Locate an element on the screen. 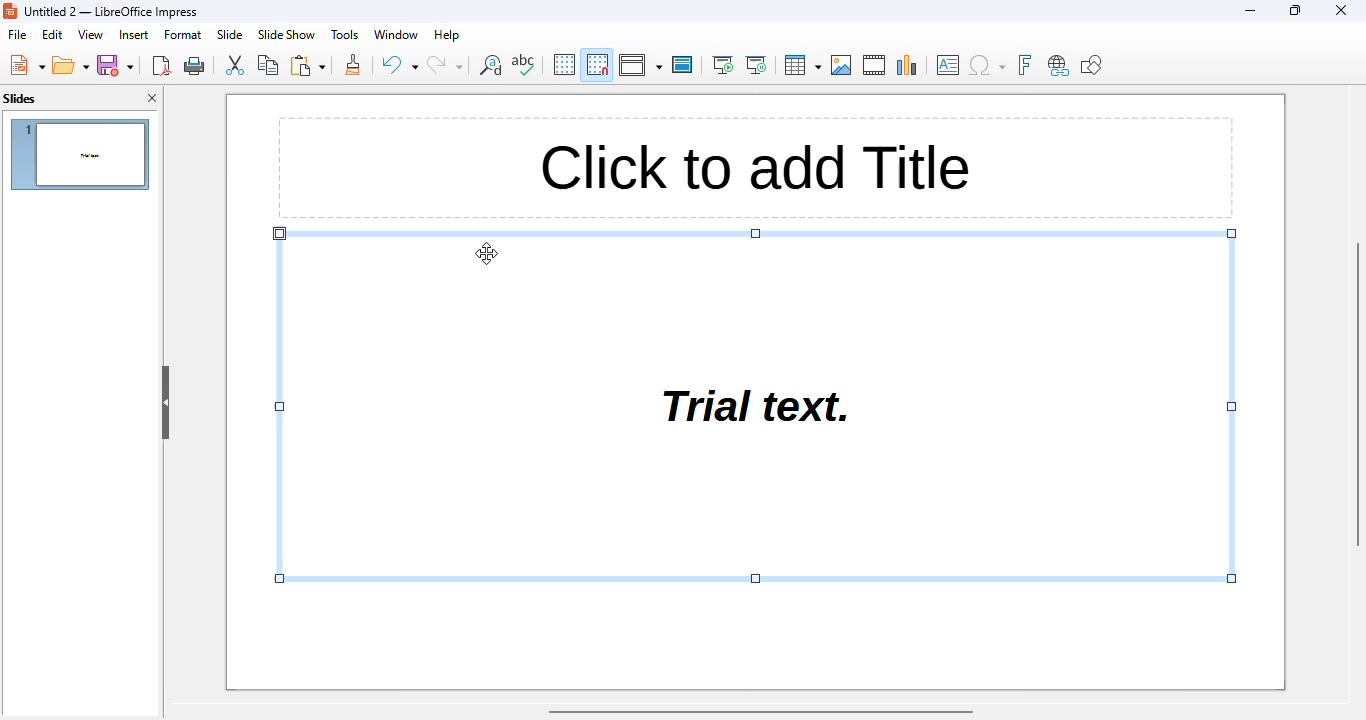  paste is located at coordinates (307, 65).